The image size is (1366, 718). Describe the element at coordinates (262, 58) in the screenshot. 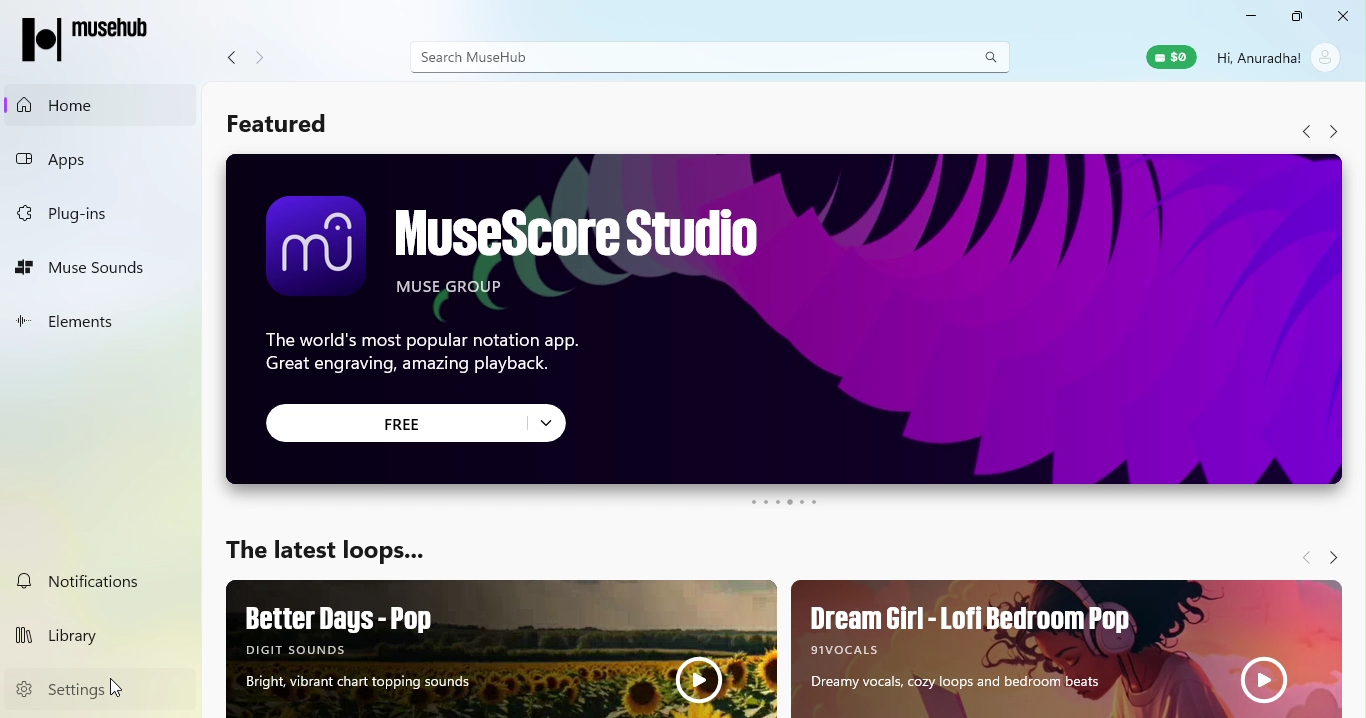

I see `Navigate forward` at that location.